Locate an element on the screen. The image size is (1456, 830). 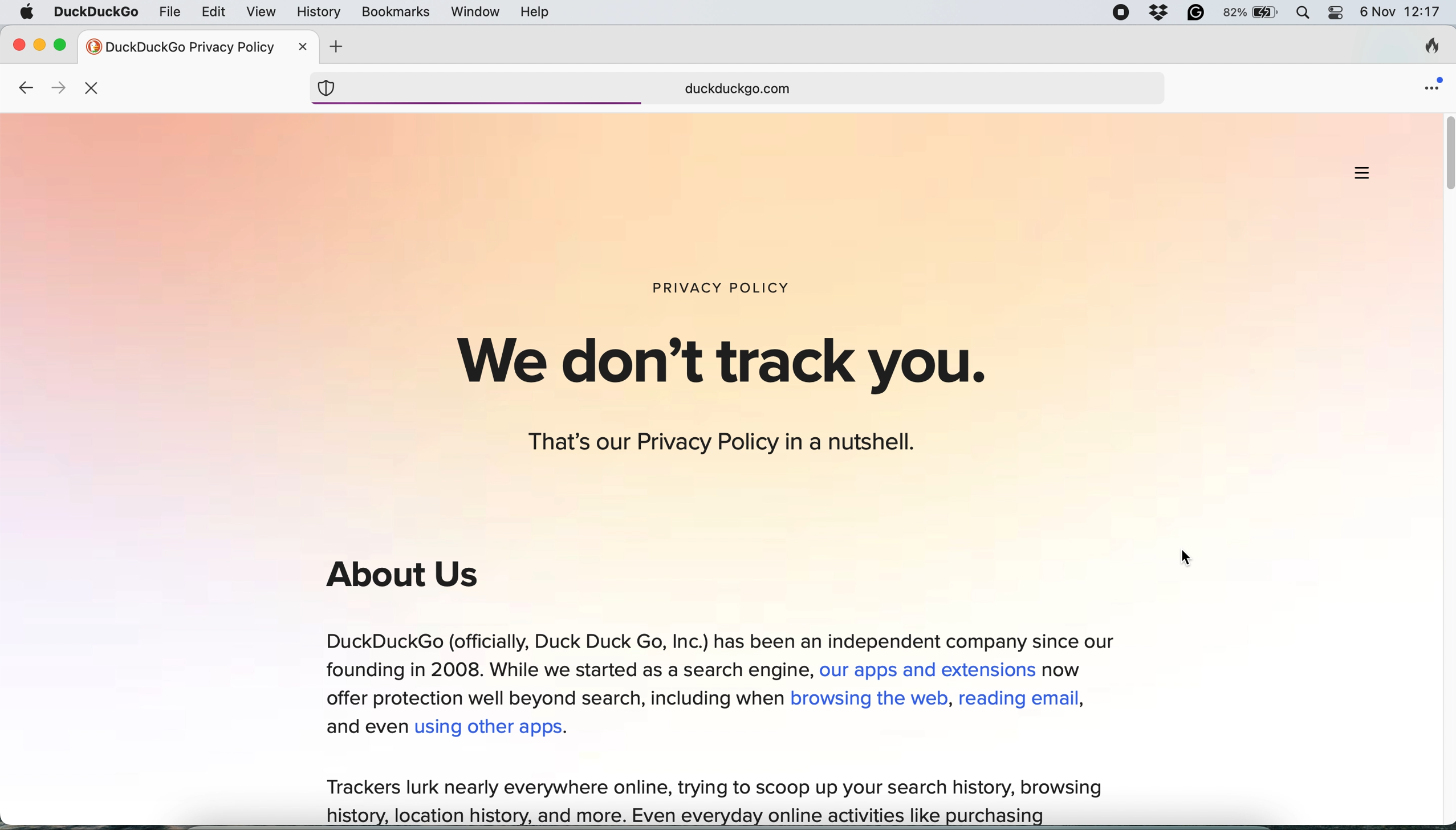
open application menu is located at coordinates (1427, 87).